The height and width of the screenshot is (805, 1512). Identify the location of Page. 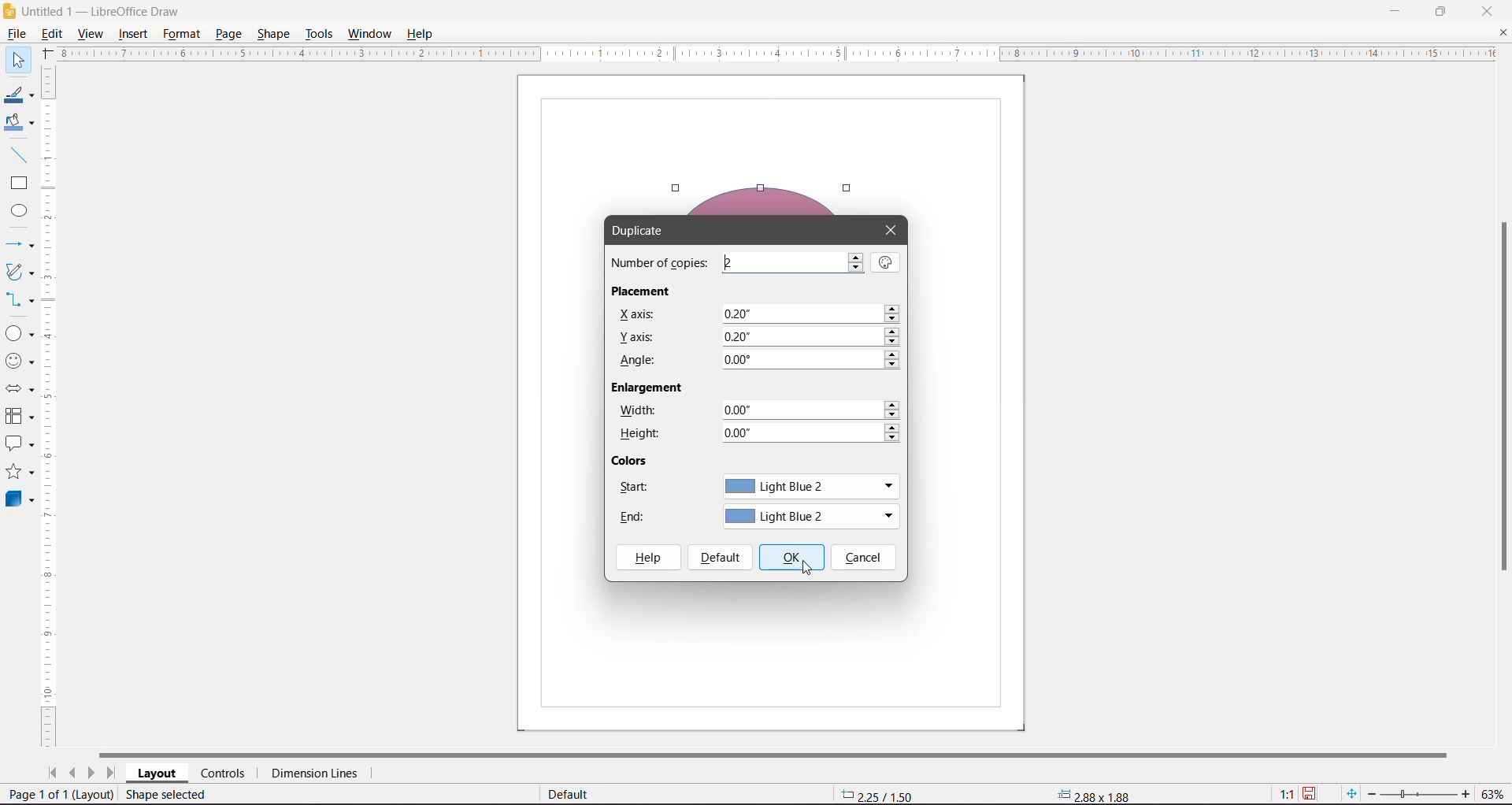
(228, 35).